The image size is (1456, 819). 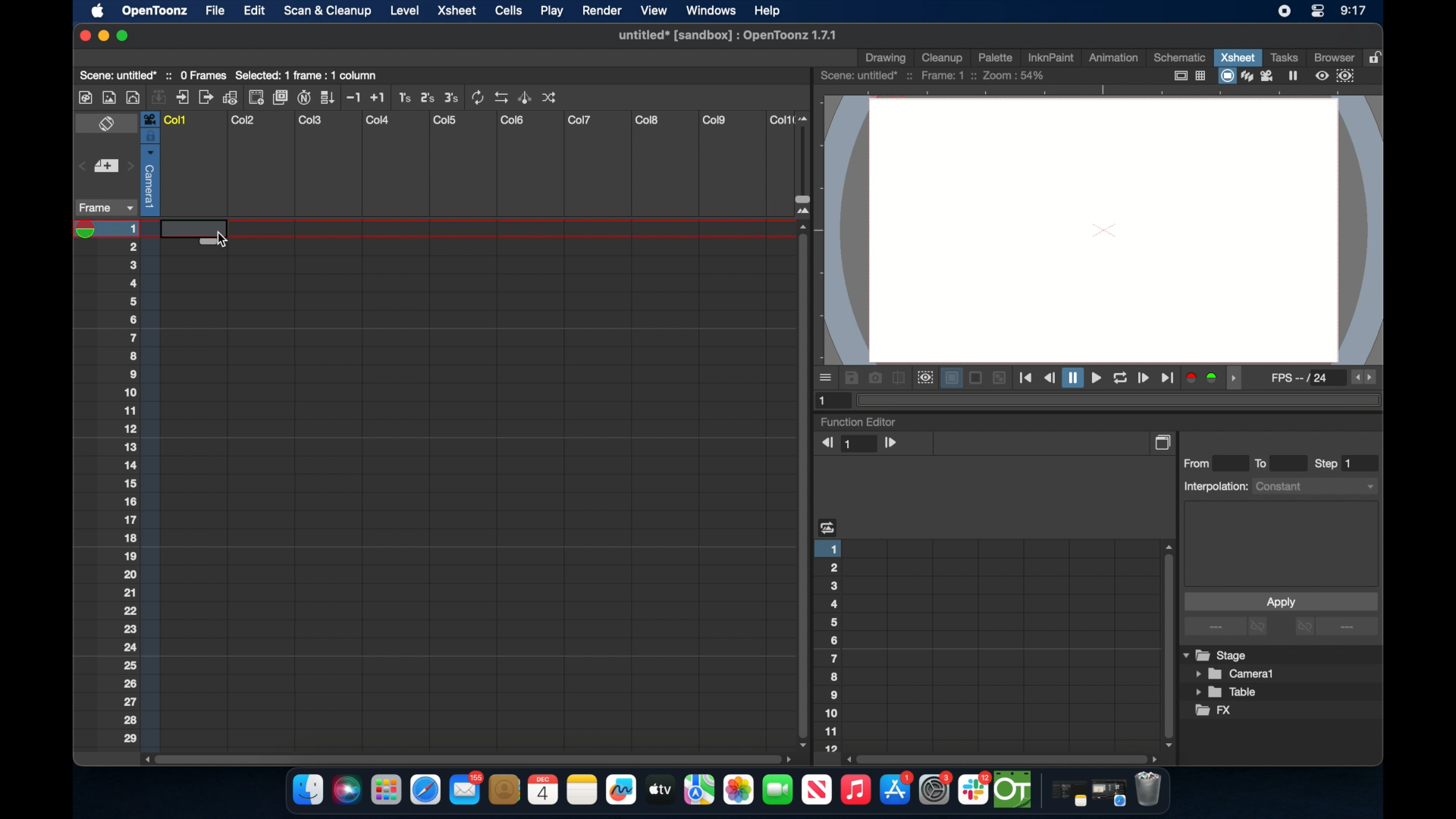 I want to click on canvas, so click(x=1103, y=229).